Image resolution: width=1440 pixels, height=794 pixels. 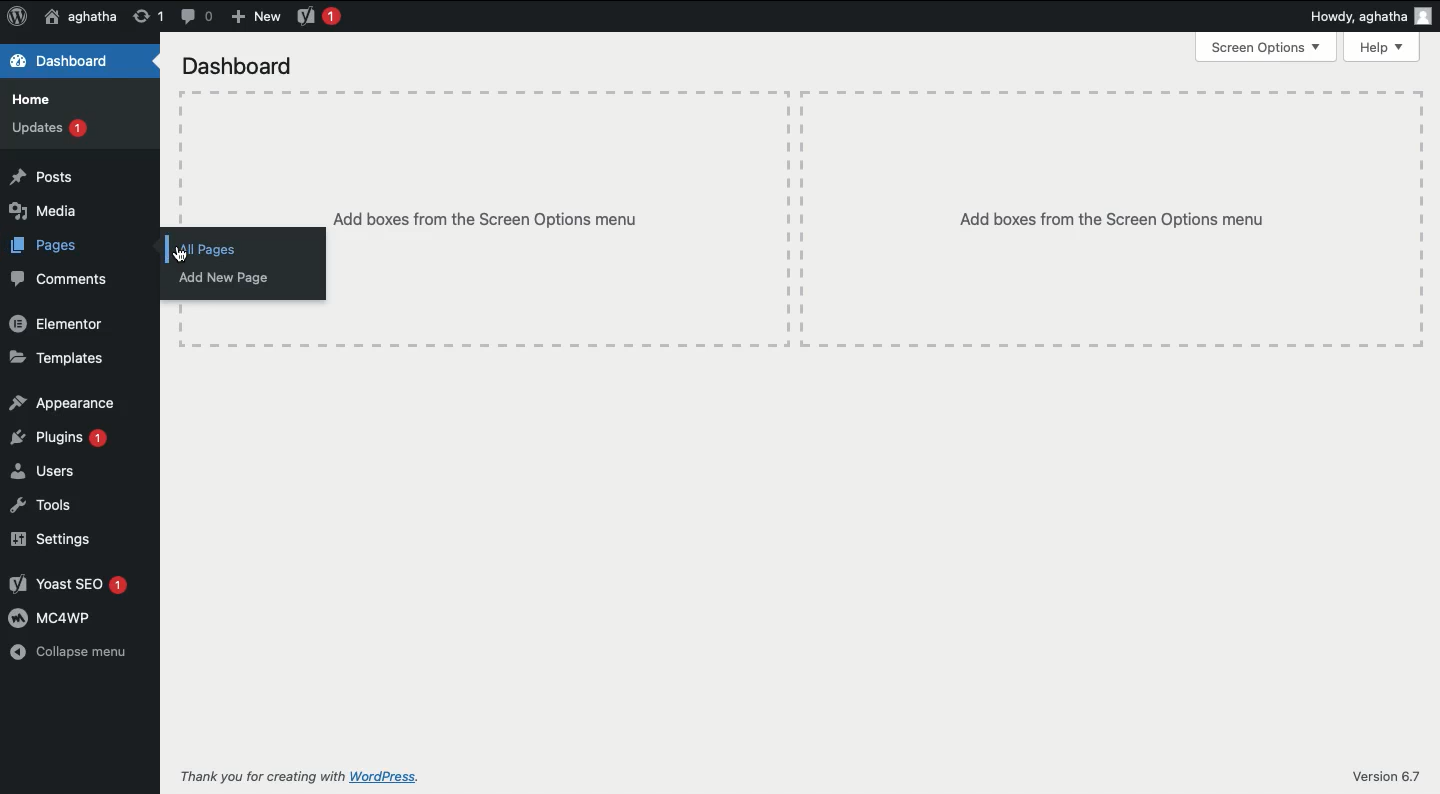 What do you see at coordinates (46, 178) in the screenshot?
I see `Posts` at bounding box center [46, 178].